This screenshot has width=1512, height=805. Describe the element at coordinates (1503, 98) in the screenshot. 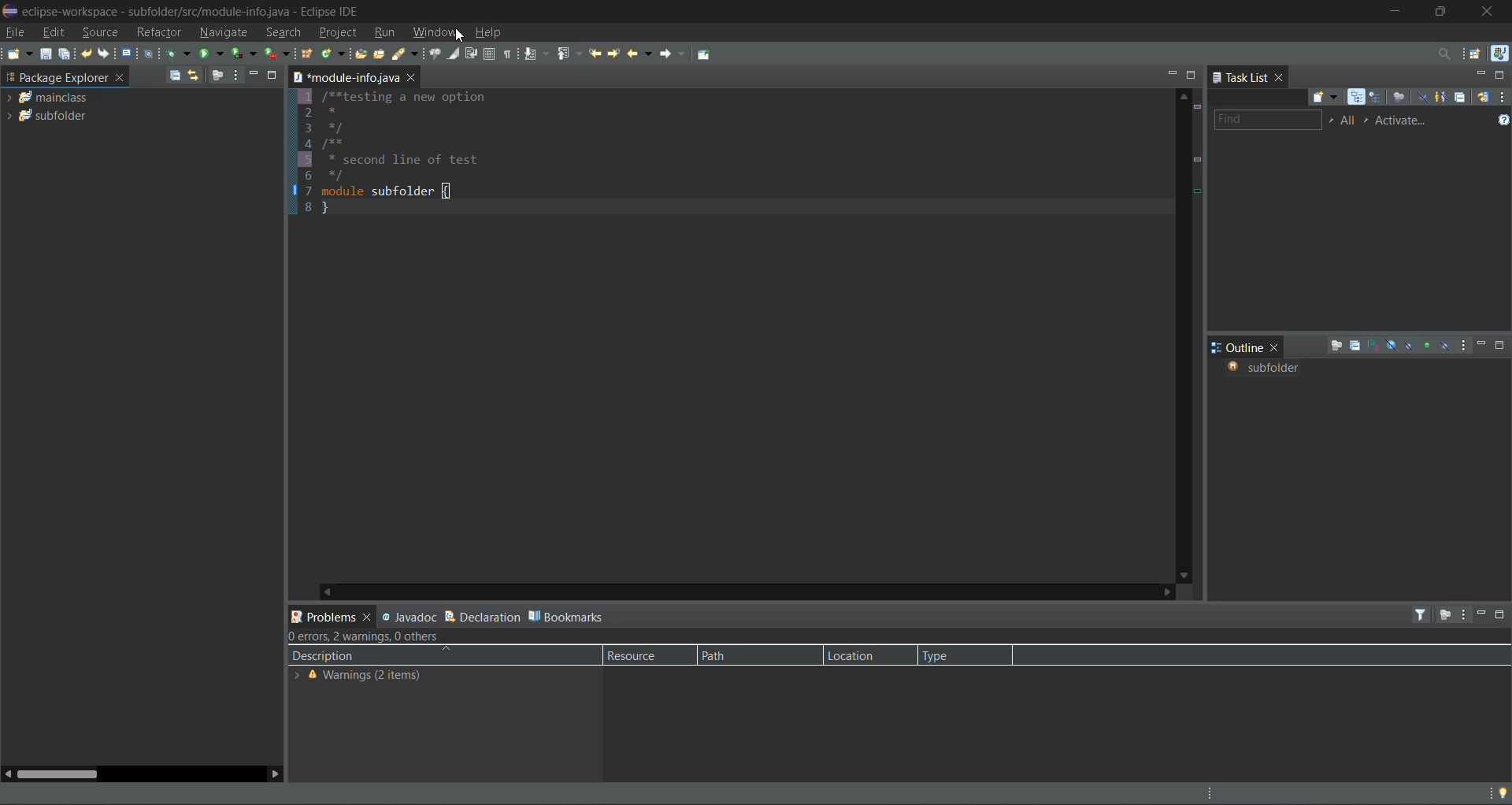

I see `view menu` at that location.